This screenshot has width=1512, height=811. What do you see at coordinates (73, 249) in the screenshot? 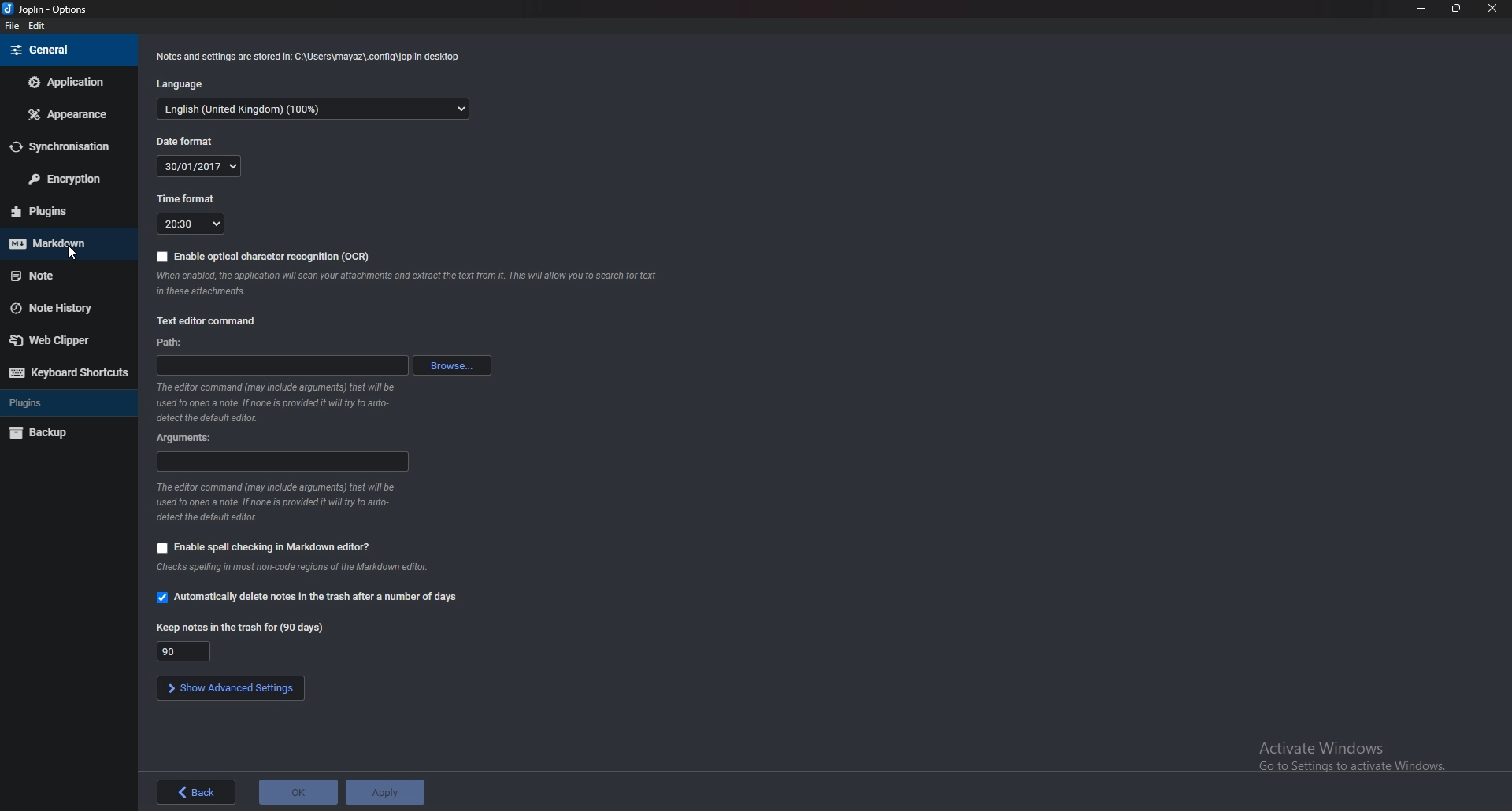
I see `cursor` at bounding box center [73, 249].